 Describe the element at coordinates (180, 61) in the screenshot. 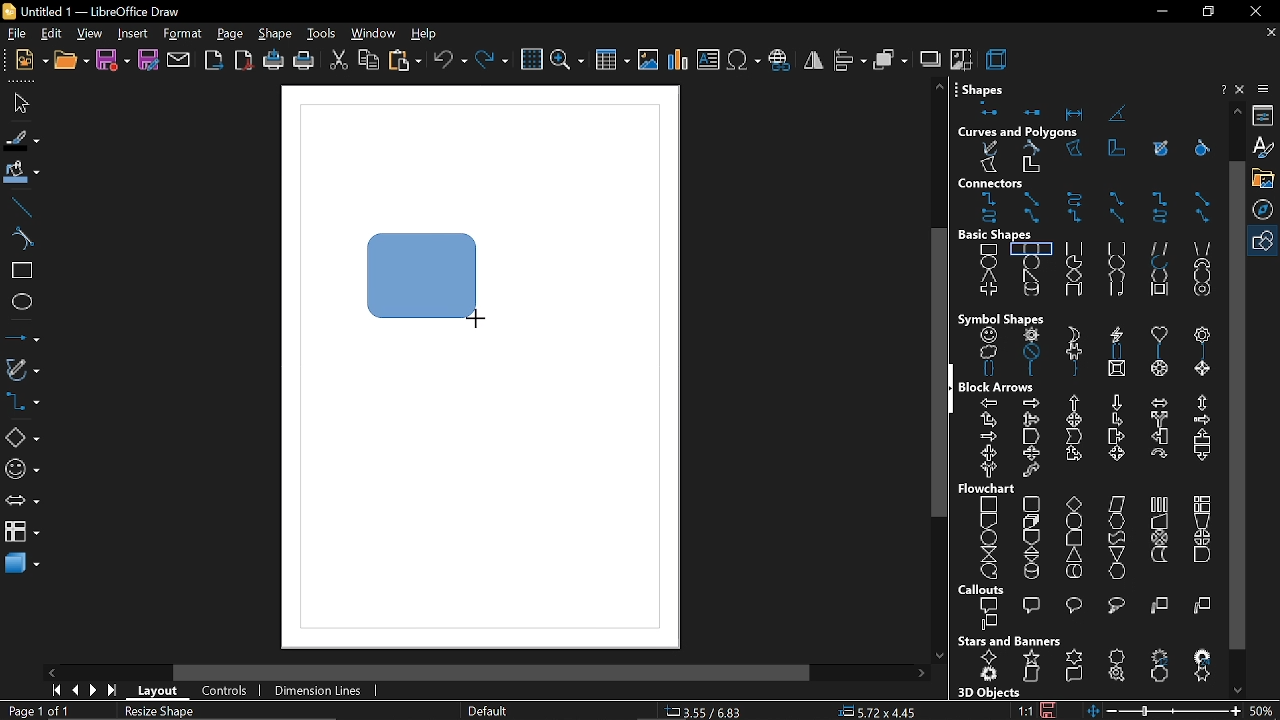

I see `attach` at that location.